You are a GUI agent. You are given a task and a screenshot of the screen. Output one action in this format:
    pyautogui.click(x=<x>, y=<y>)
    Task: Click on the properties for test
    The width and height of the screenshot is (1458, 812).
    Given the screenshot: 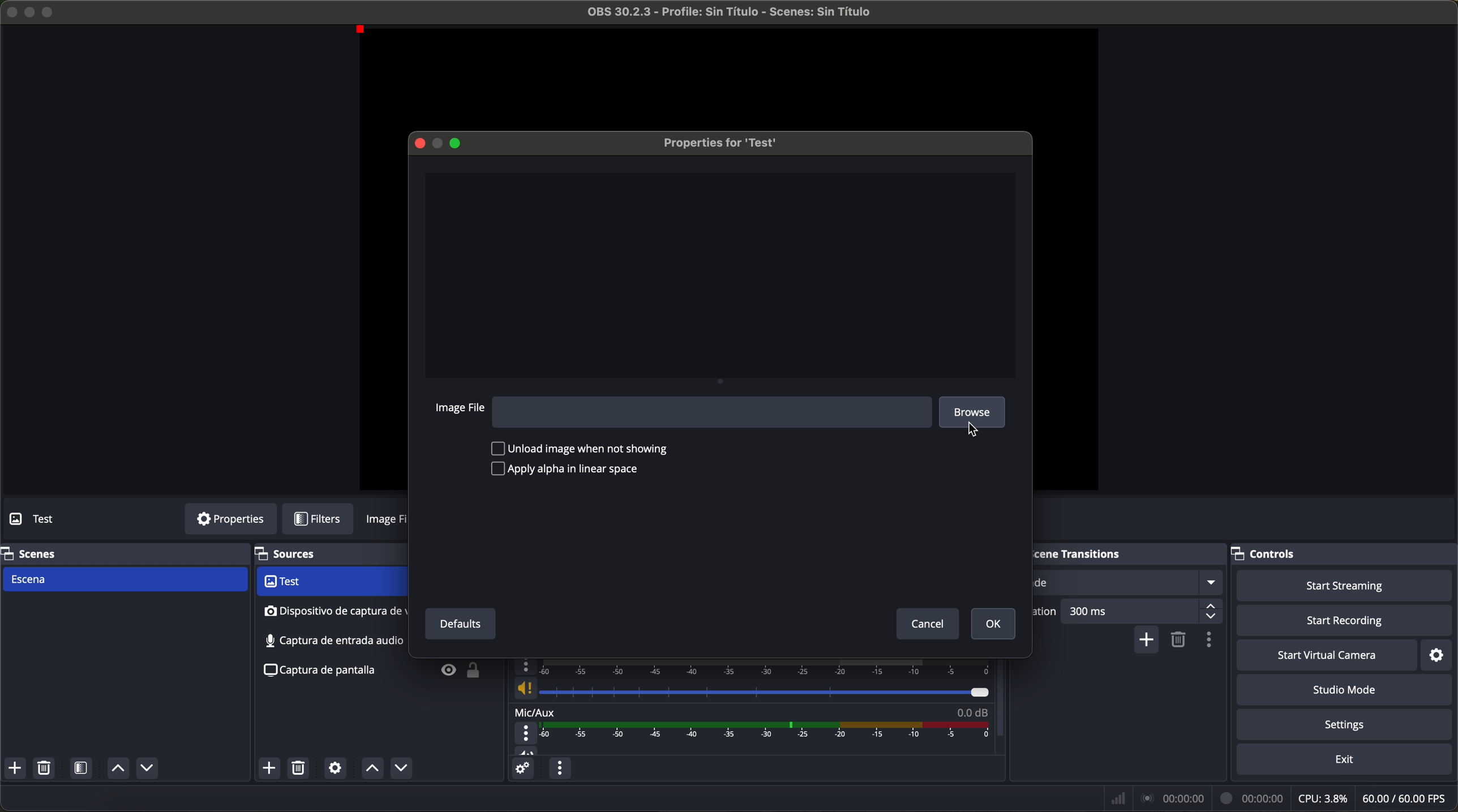 What is the action you would take?
    pyautogui.click(x=719, y=142)
    